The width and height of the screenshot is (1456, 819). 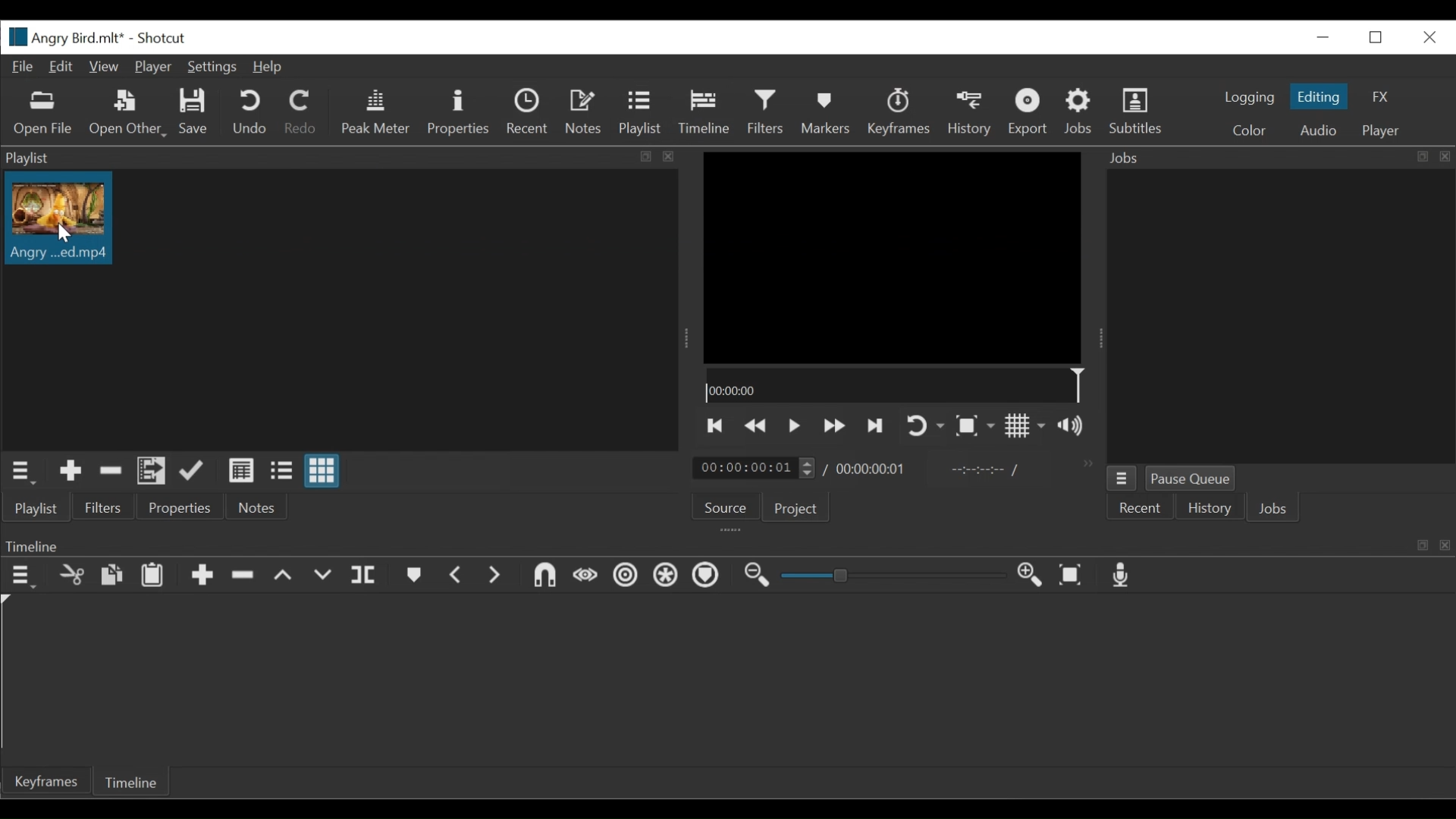 I want to click on FX, so click(x=1381, y=96).